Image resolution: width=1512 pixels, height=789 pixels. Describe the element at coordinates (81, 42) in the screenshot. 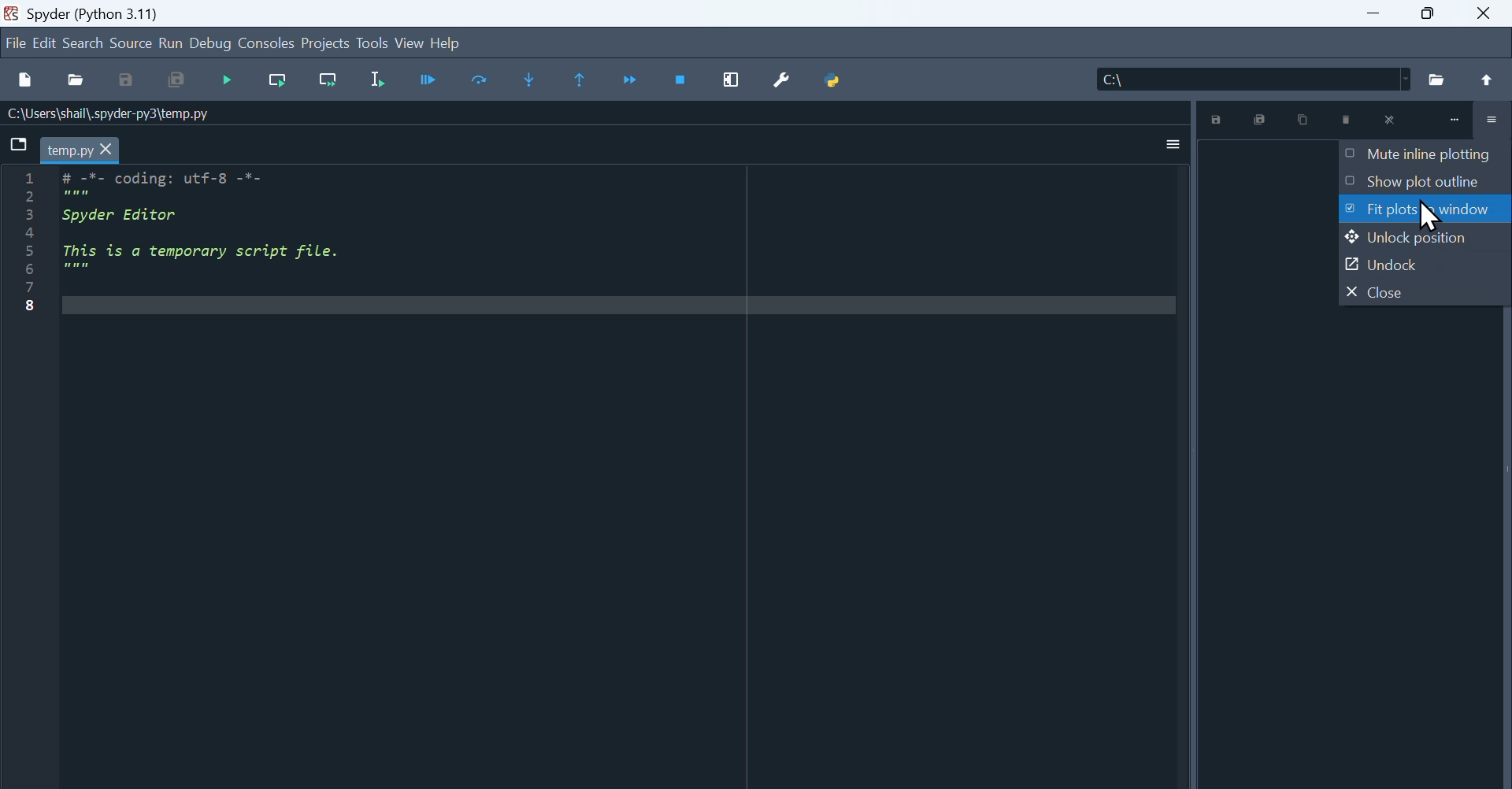

I see `Search` at that location.